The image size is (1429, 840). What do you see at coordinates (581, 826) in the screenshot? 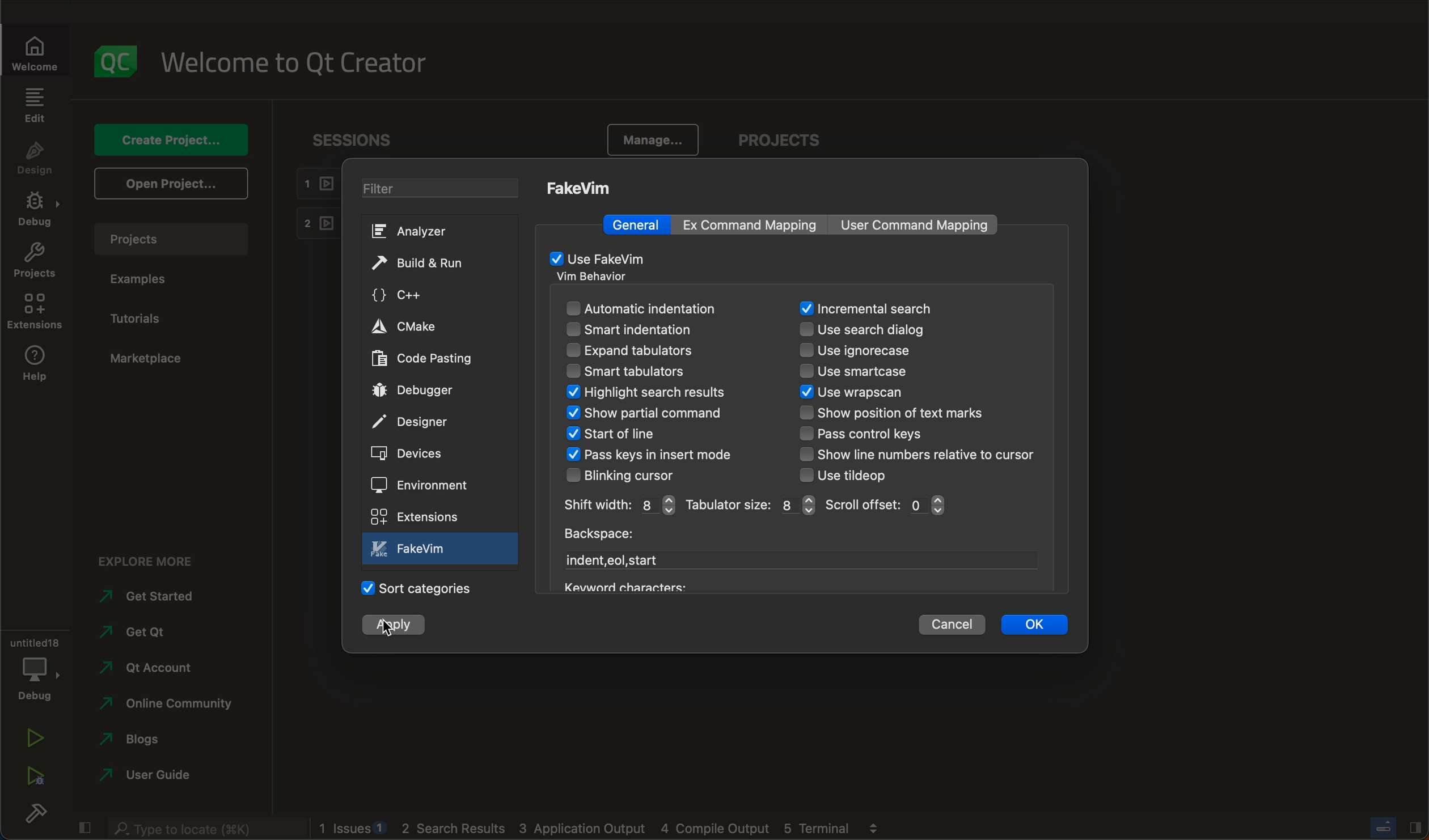
I see `` at bounding box center [581, 826].